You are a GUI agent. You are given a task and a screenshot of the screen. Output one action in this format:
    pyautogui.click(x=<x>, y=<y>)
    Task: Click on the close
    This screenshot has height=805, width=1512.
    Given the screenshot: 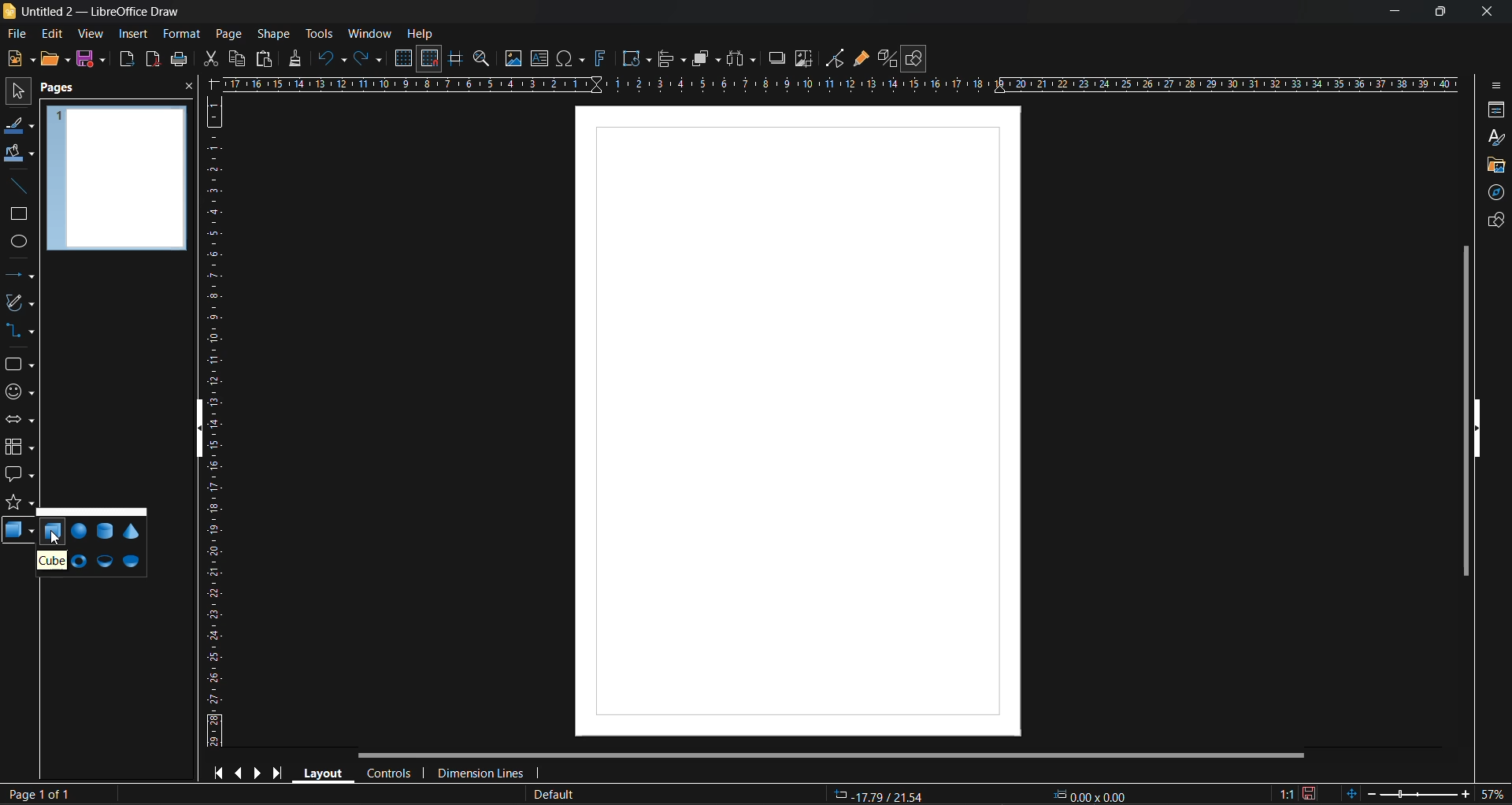 What is the action you would take?
    pyautogui.click(x=187, y=90)
    